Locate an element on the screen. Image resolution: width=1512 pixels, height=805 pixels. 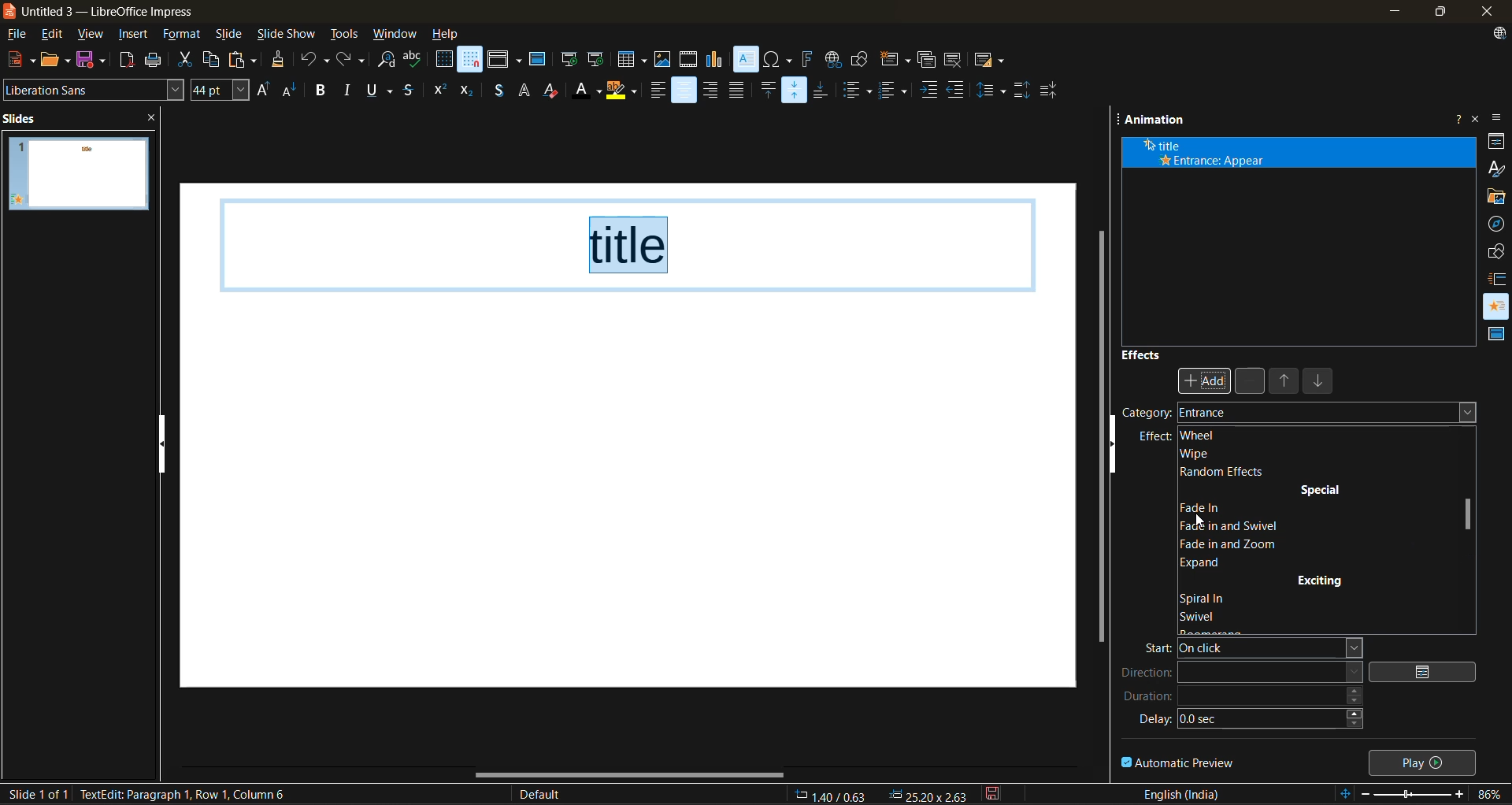
window is located at coordinates (396, 35).